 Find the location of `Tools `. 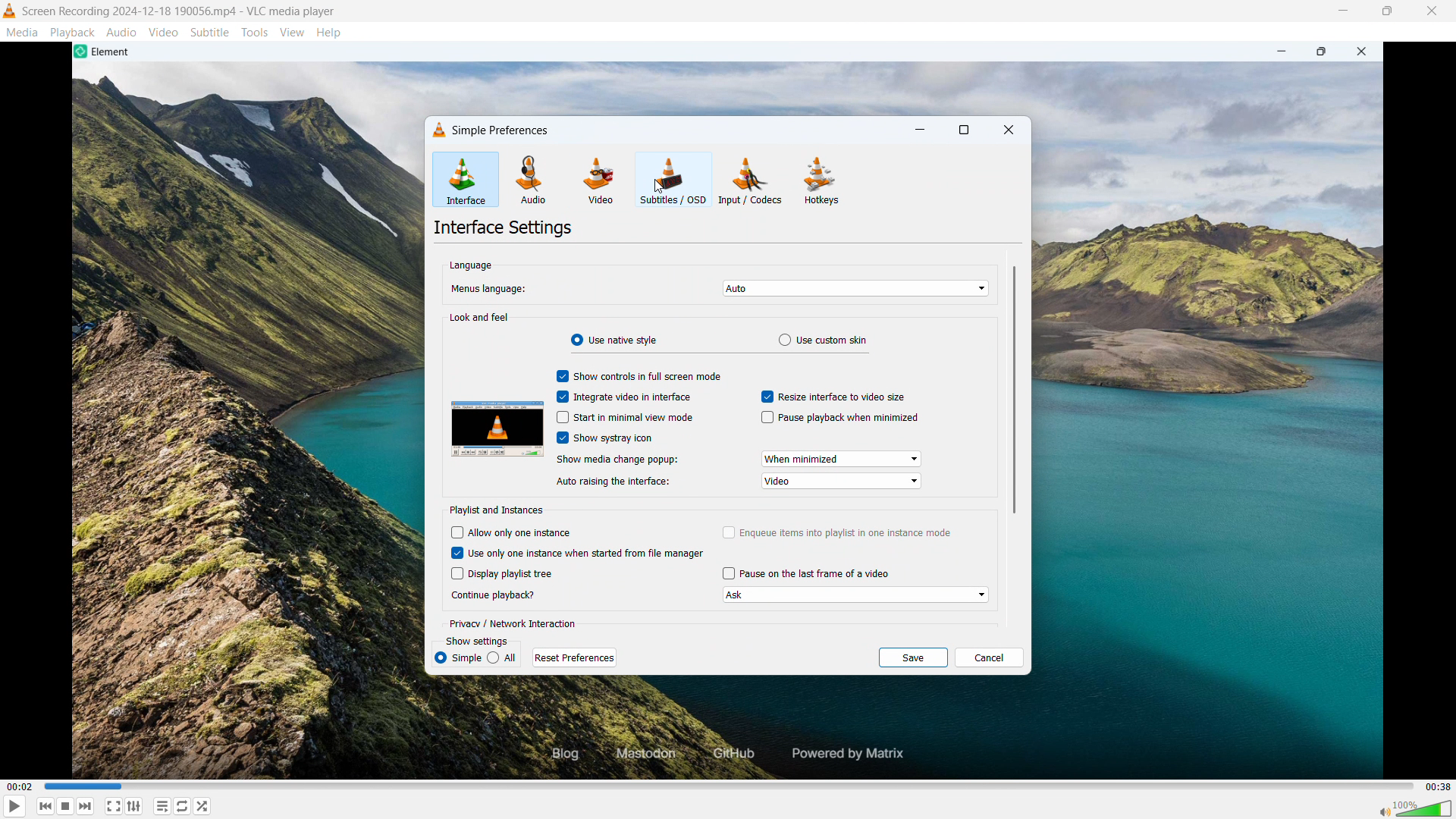

Tools  is located at coordinates (255, 32).